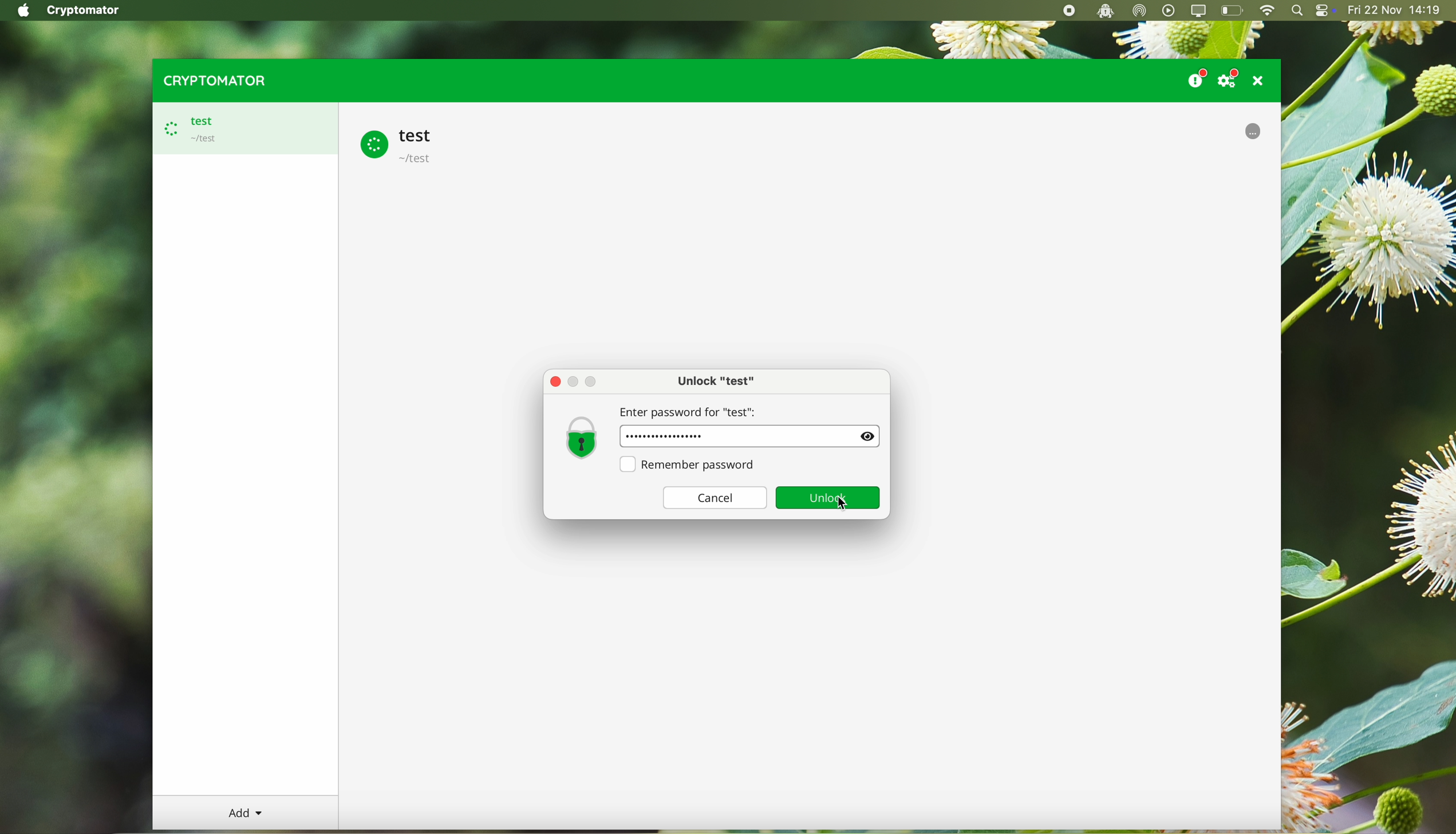 The width and height of the screenshot is (1456, 834). I want to click on battery, so click(1233, 11).